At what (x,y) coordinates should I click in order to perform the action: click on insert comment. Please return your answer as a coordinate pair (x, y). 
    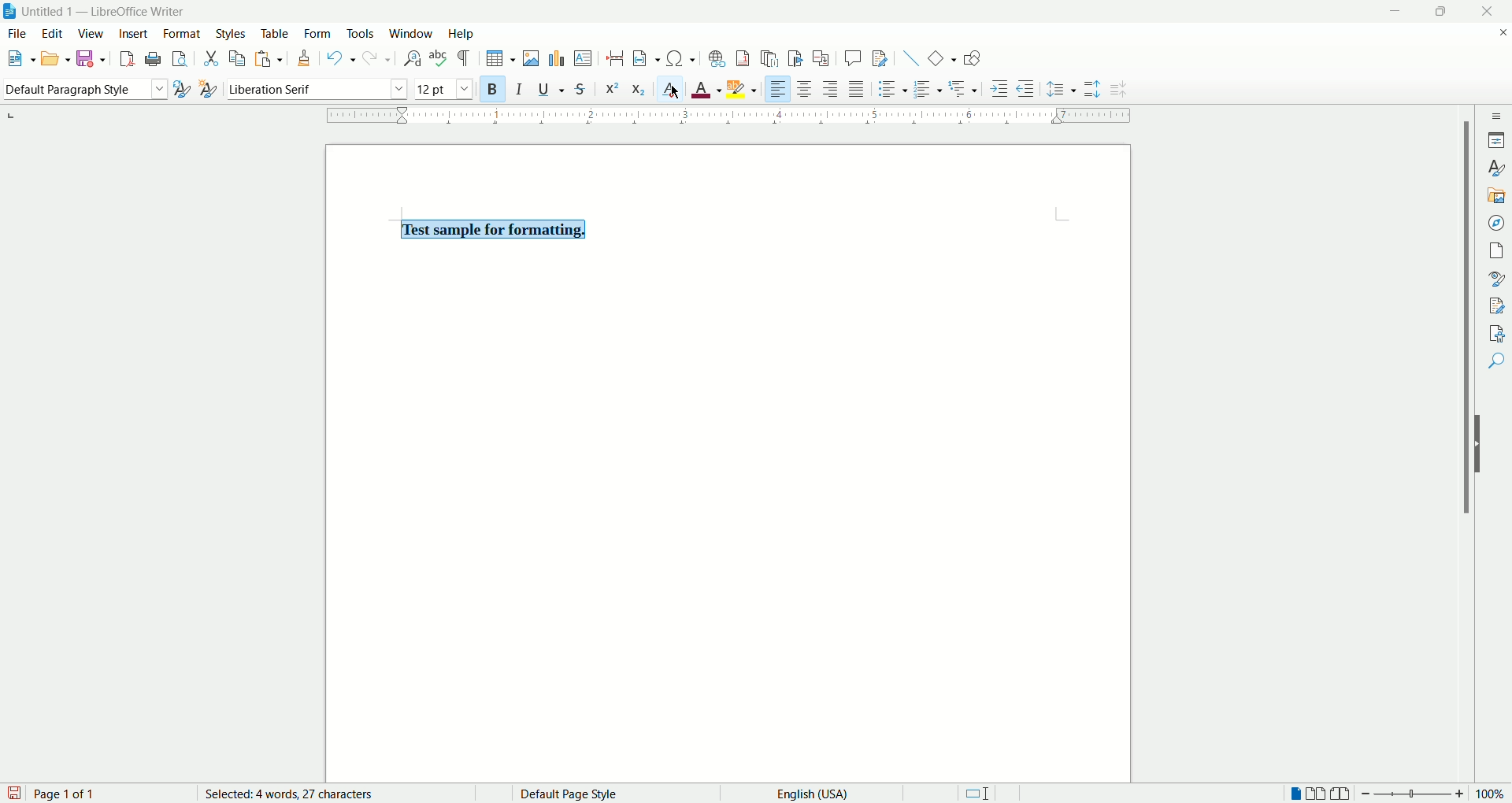
    Looking at the image, I should click on (853, 59).